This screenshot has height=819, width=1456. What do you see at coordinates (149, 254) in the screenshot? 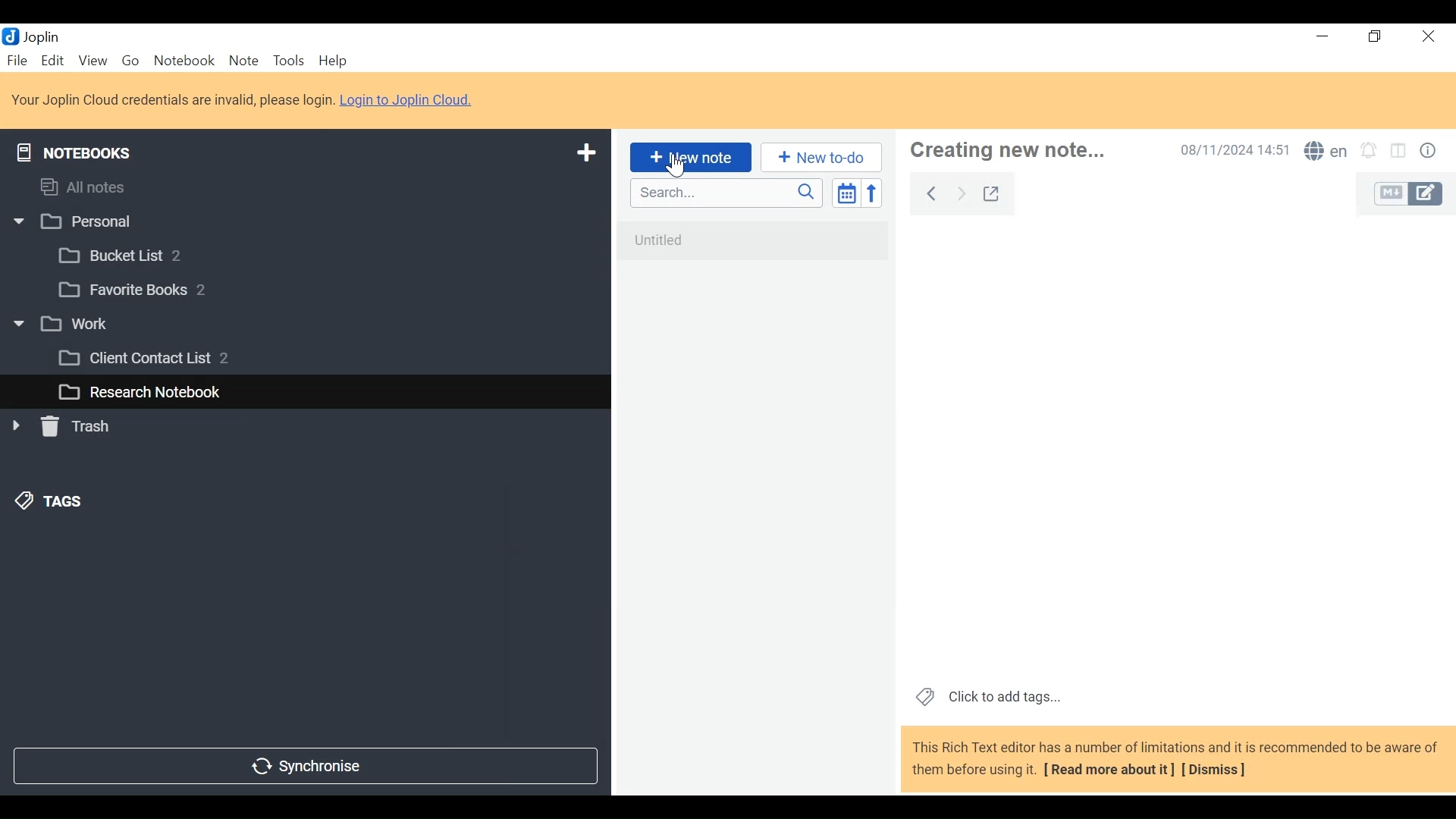
I see `[3 Bucket List 2` at bounding box center [149, 254].